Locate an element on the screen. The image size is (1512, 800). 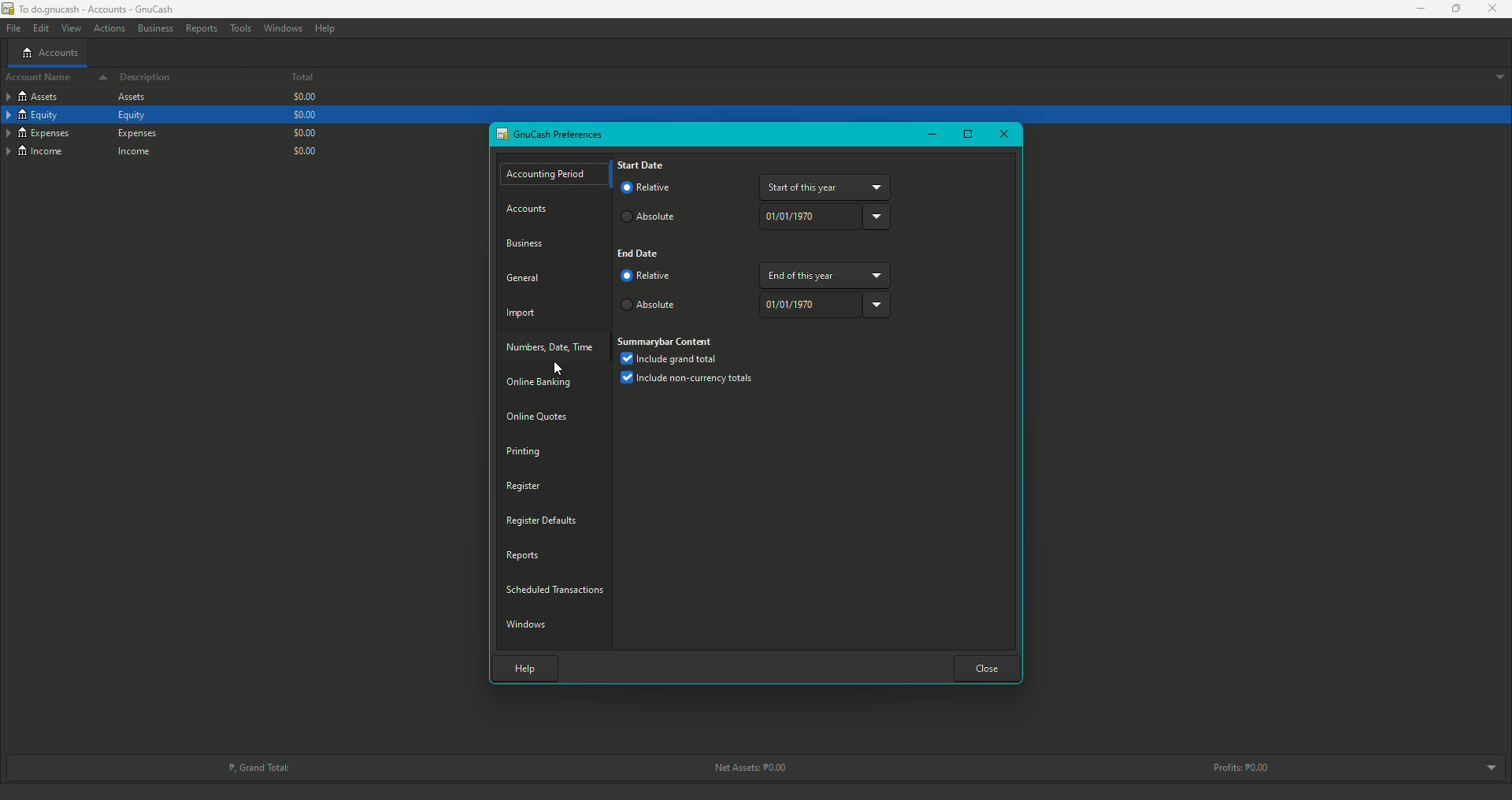
Preferences is located at coordinates (551, 135).